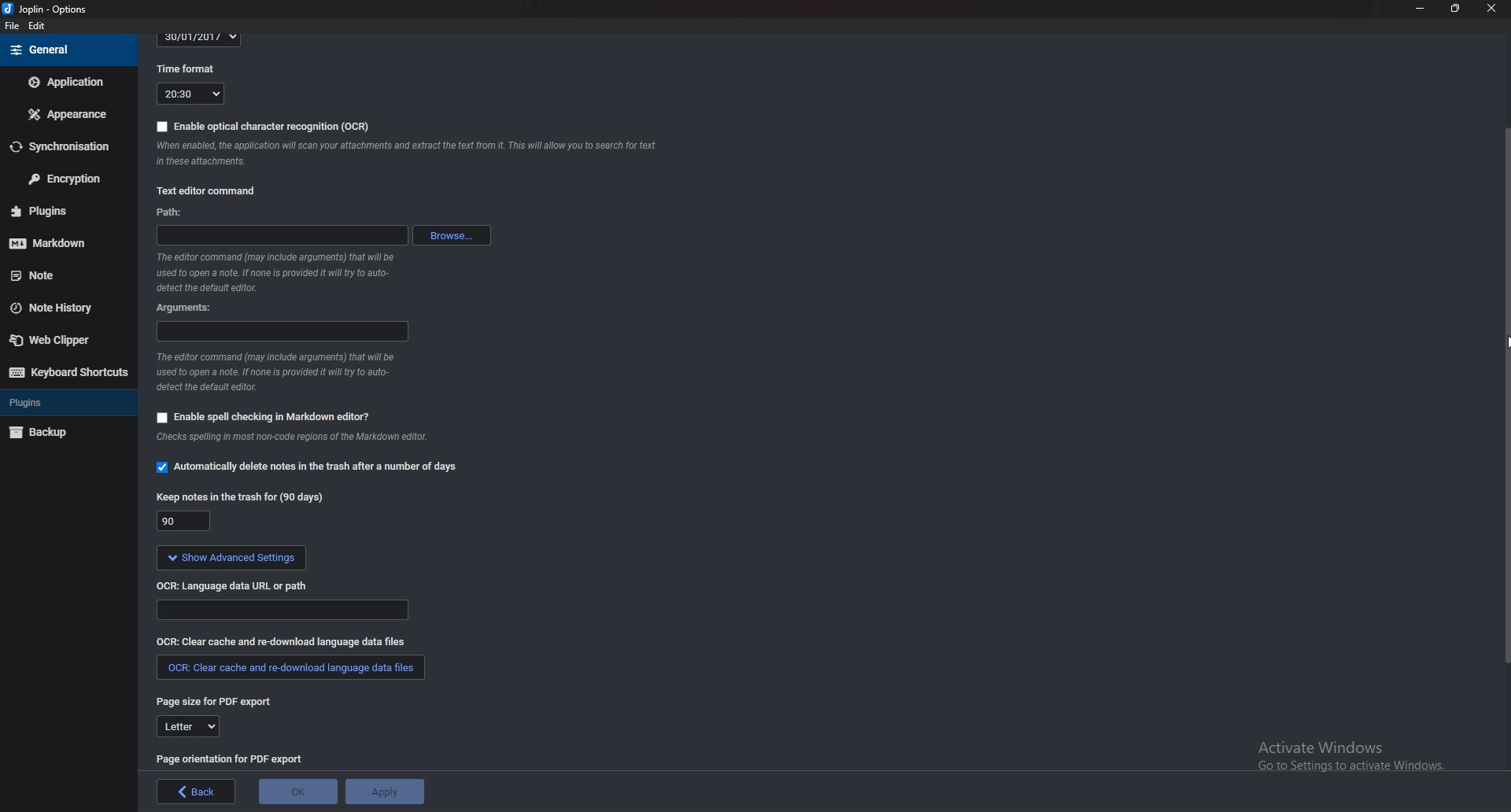  I want to click on Keep notes in the trash for, so click(244, 497).